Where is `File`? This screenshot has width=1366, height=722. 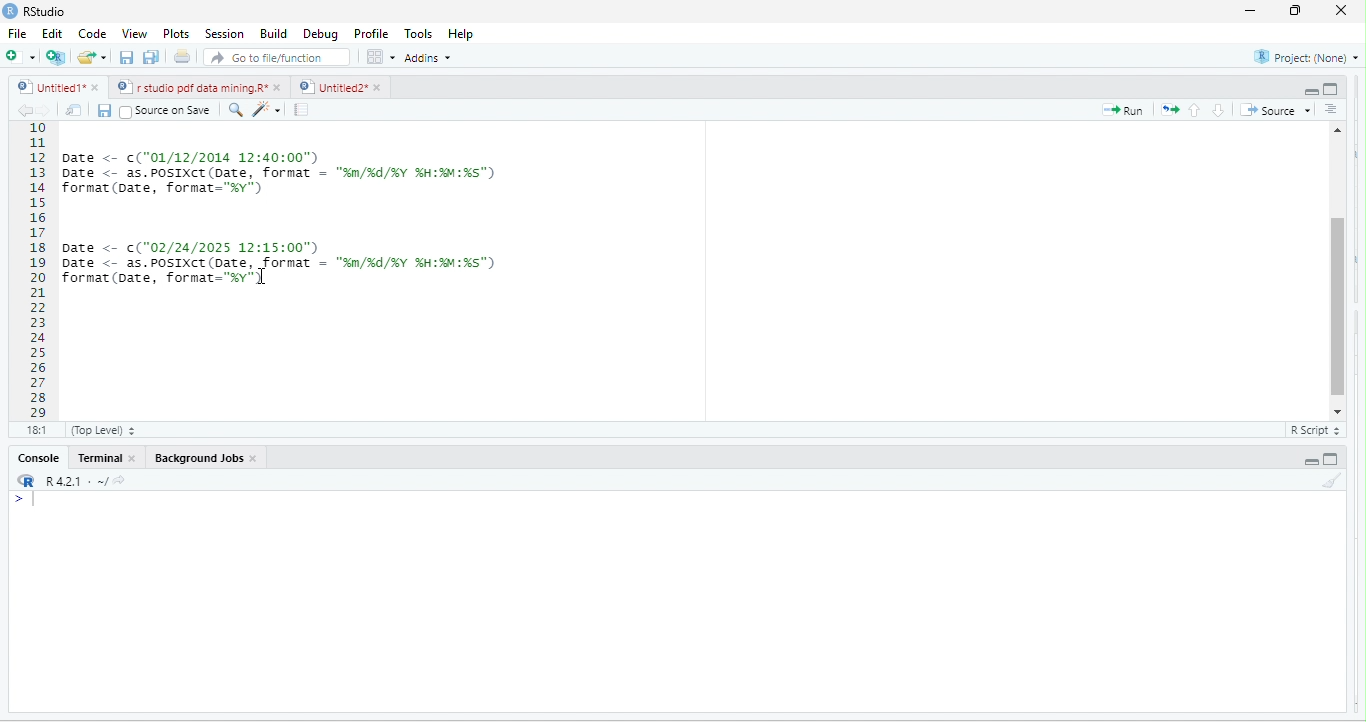 File is located at coordinates (16, 35).